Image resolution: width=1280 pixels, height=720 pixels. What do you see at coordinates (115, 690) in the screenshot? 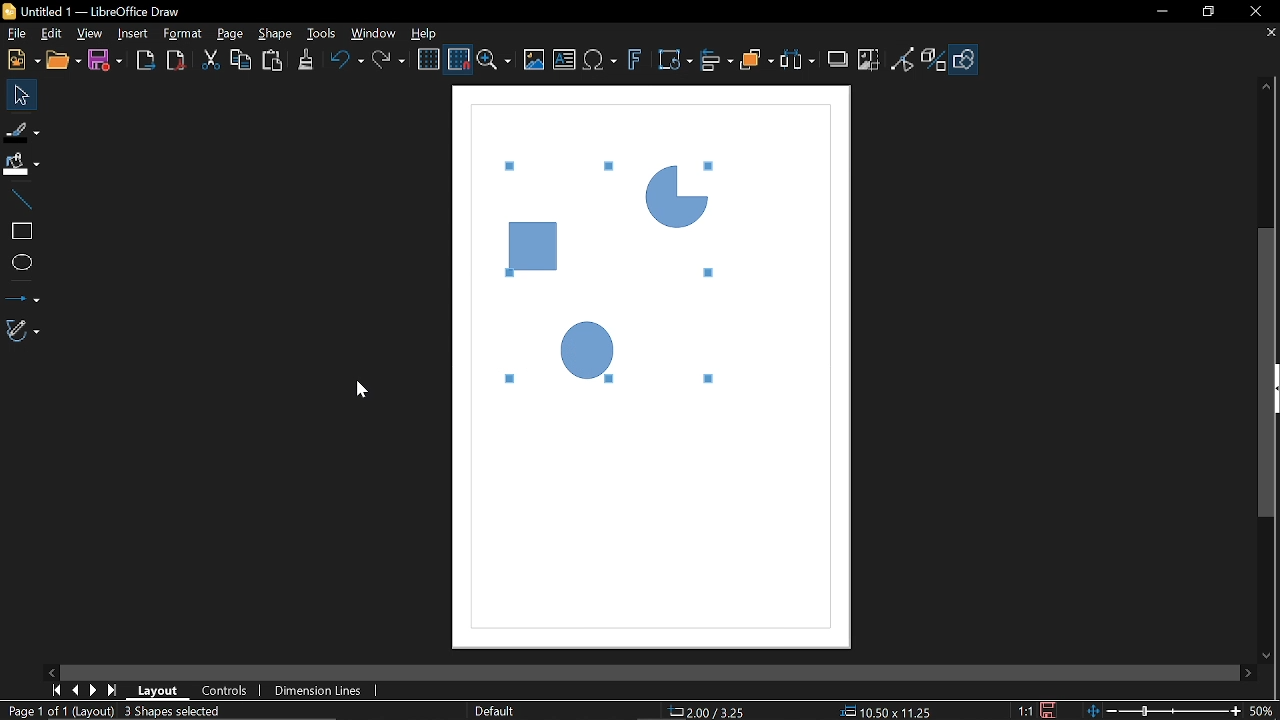
I see `Last page` at bounding box center [115, 690].